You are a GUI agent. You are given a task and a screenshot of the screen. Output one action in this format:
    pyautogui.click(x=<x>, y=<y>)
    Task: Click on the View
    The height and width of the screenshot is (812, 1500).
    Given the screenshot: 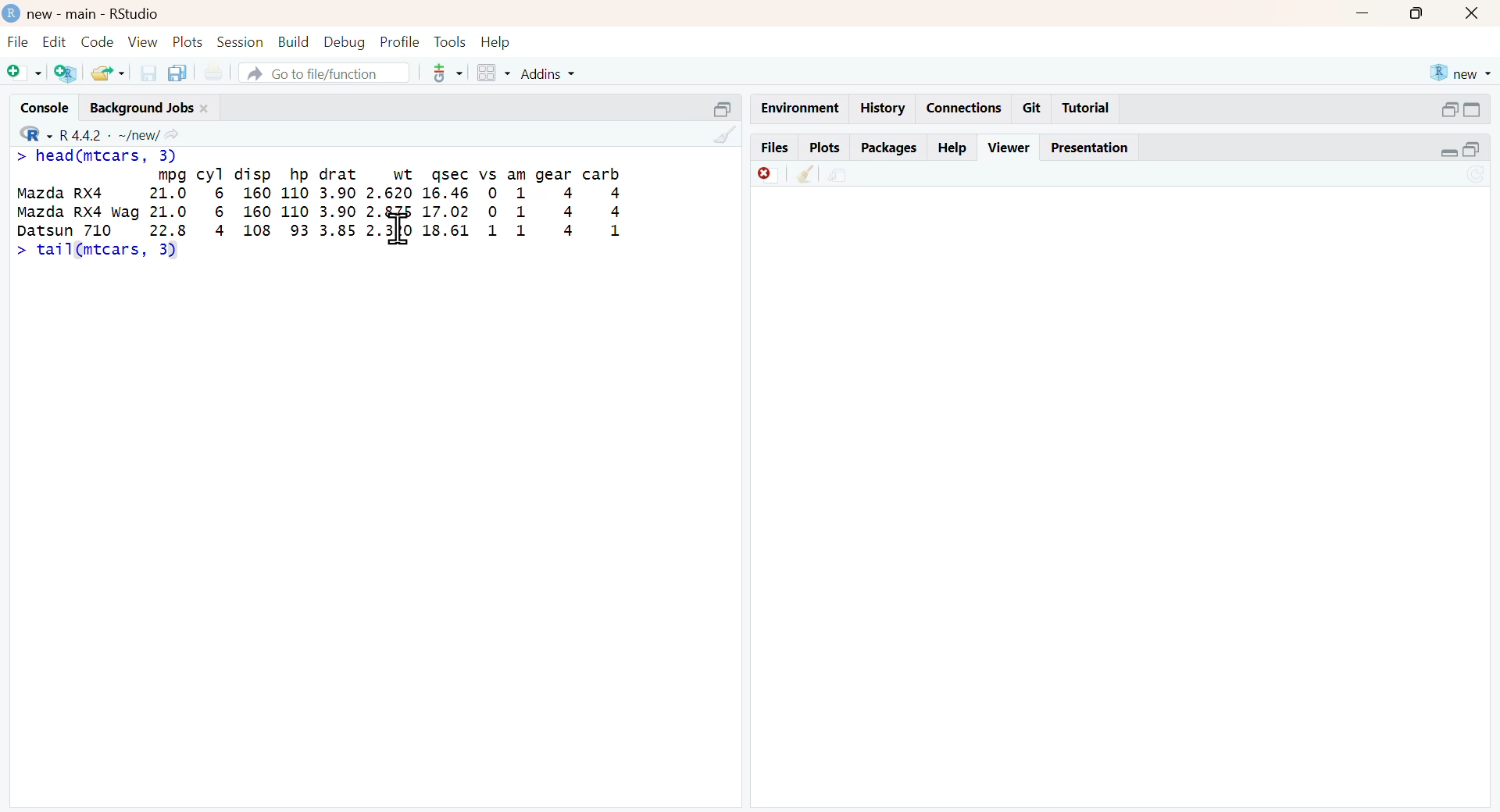 What is the action you would take?
    pyautogui.click(x=142, y=41)
    